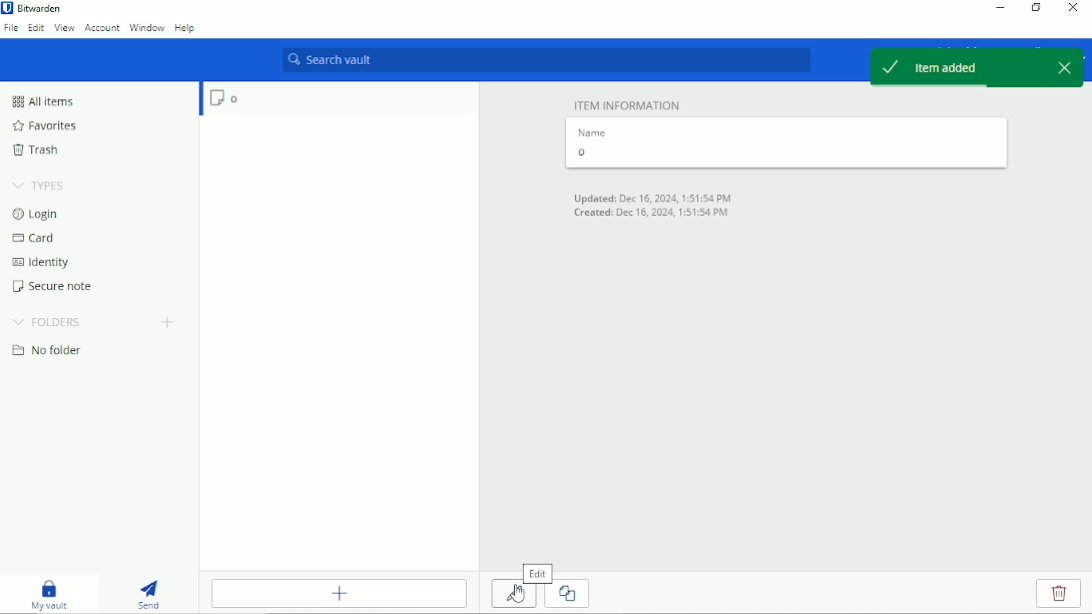 Image resolution: width=1092 pixels, height=614 pixels. I want to click on All items, so click(41, 101).